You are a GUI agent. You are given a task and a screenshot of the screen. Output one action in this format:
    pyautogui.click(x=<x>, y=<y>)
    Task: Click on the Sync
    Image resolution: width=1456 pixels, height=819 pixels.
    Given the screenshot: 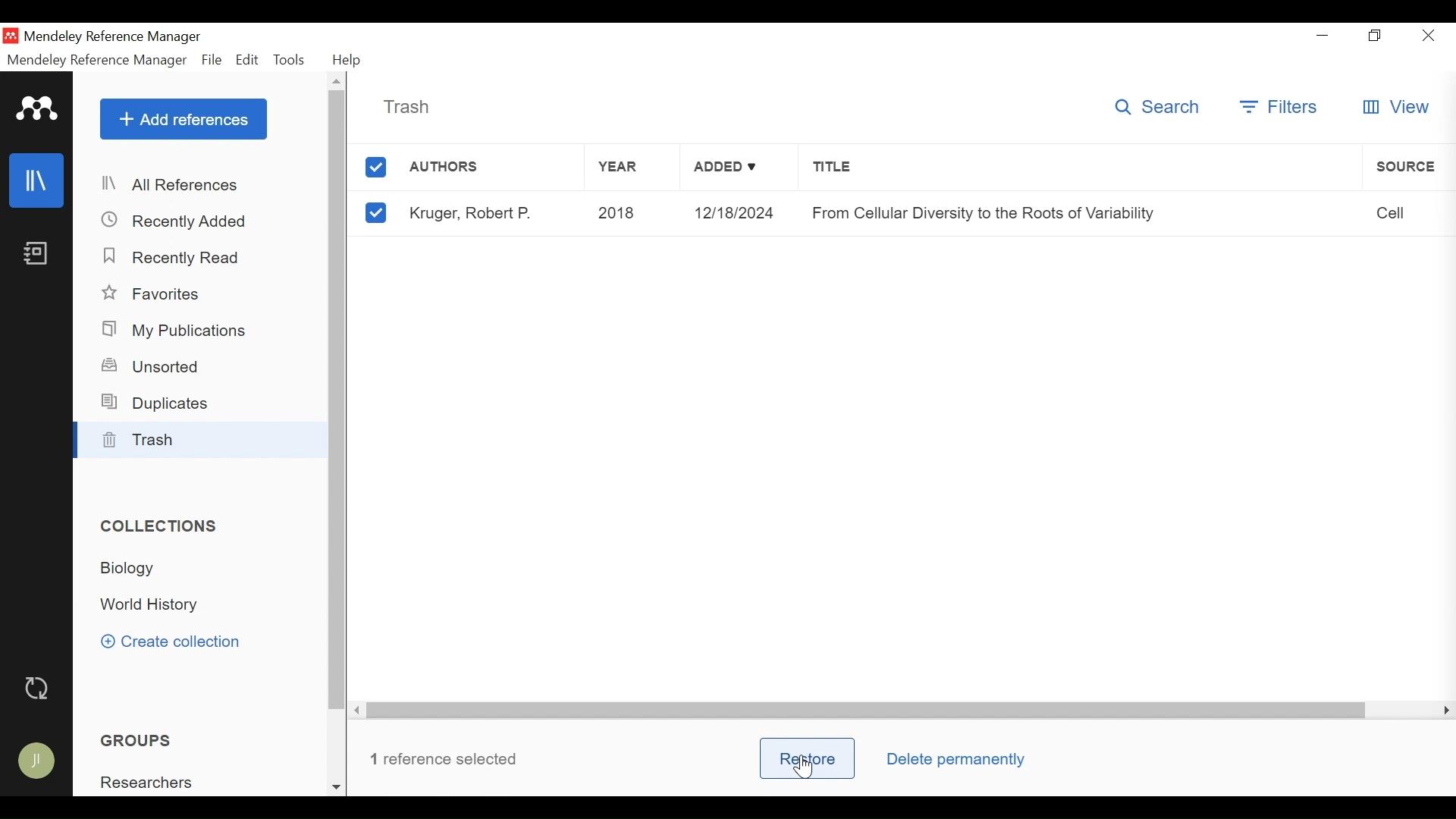 What is the action you would take?
    pyautogui.click(x=39, y=688)
    